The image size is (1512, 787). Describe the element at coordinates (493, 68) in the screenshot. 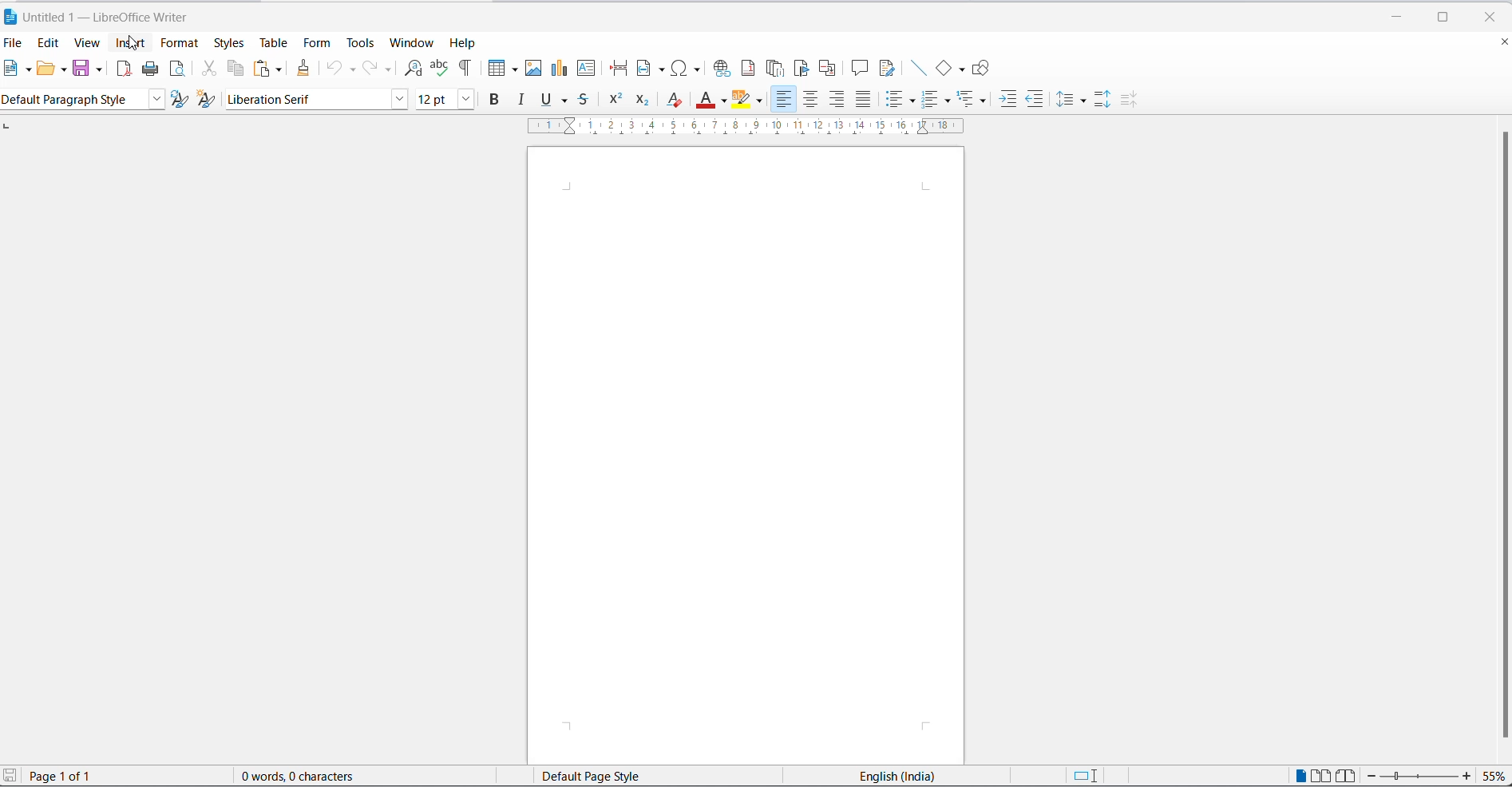

I see `insert table` at that location.